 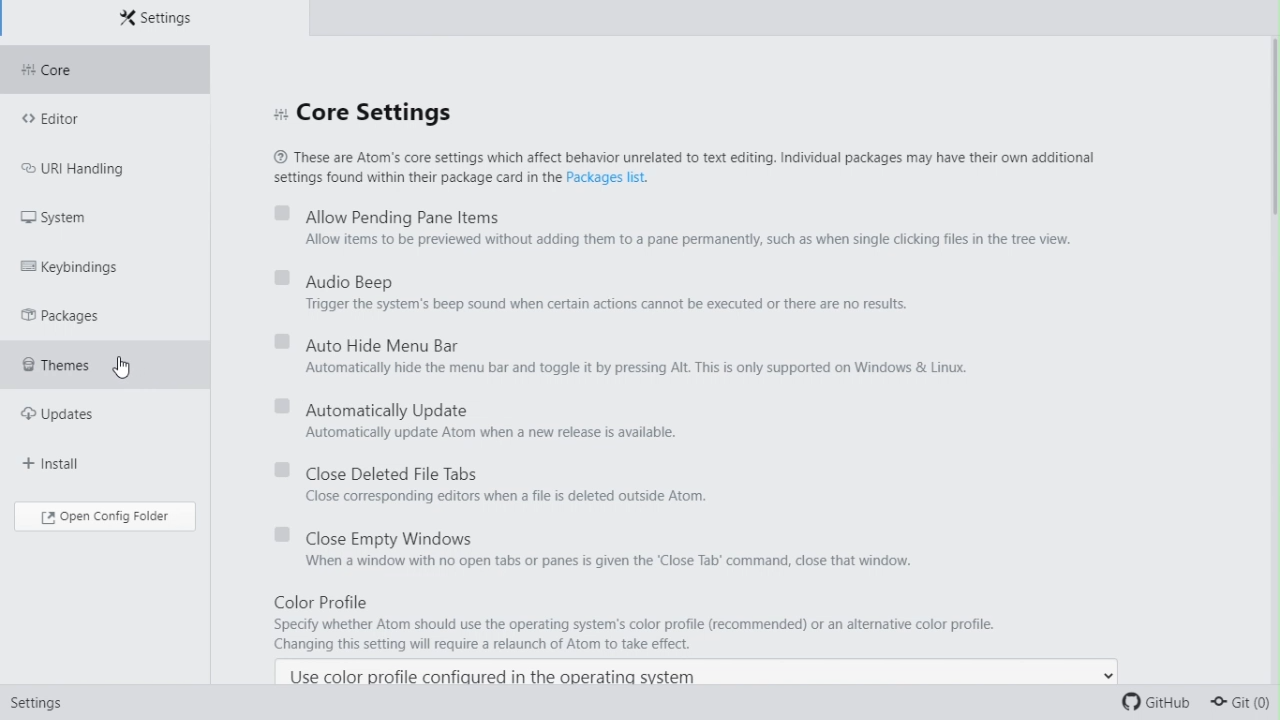 What do you see at coordinates (619, 357) in the screenshot?
I see `Auto hide menu bar` at bounding box center [619, 357].